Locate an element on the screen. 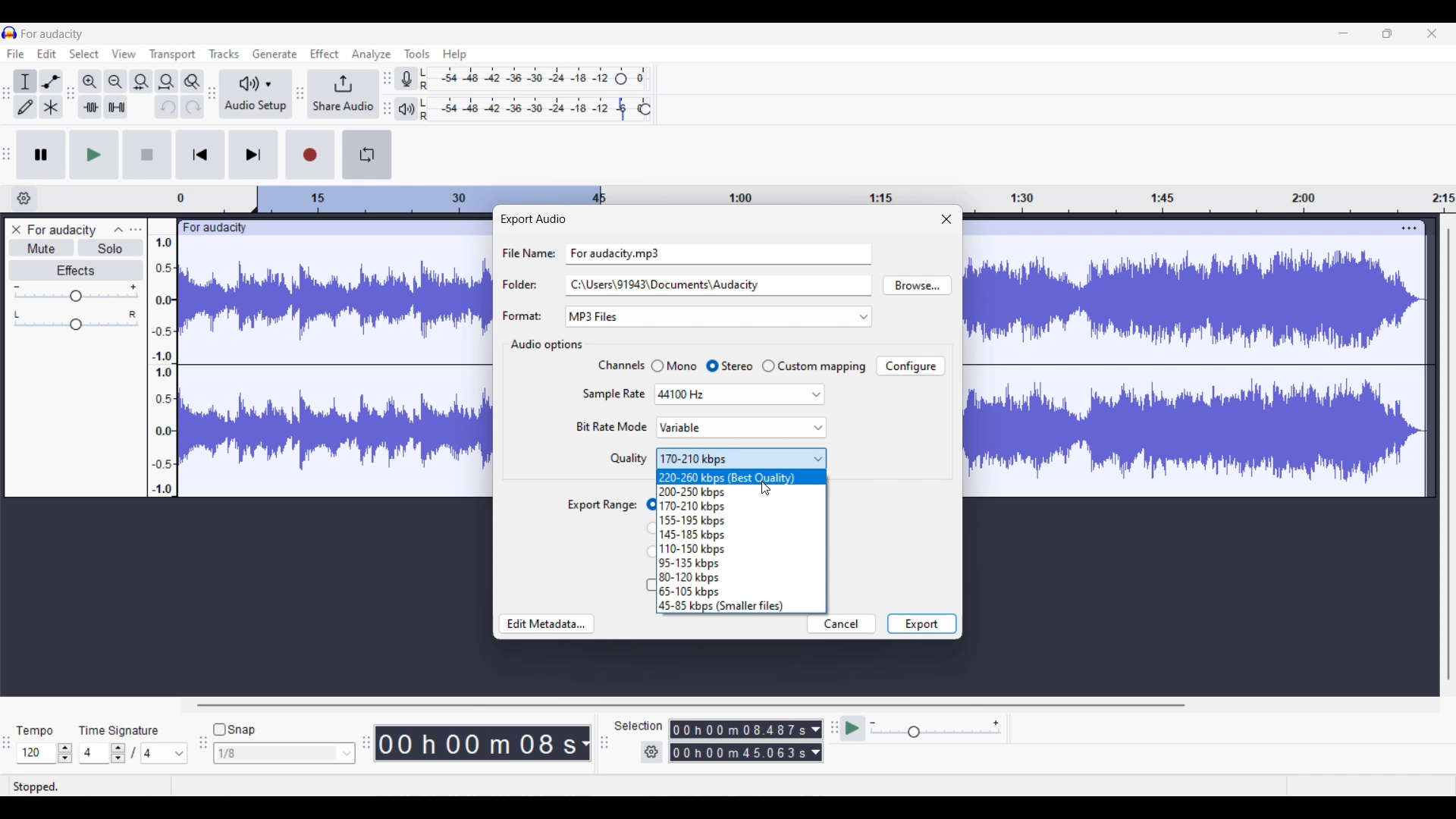 The height and width of the screenshot is (819, 1456). Playback meter is located at coordinates (406, 109).